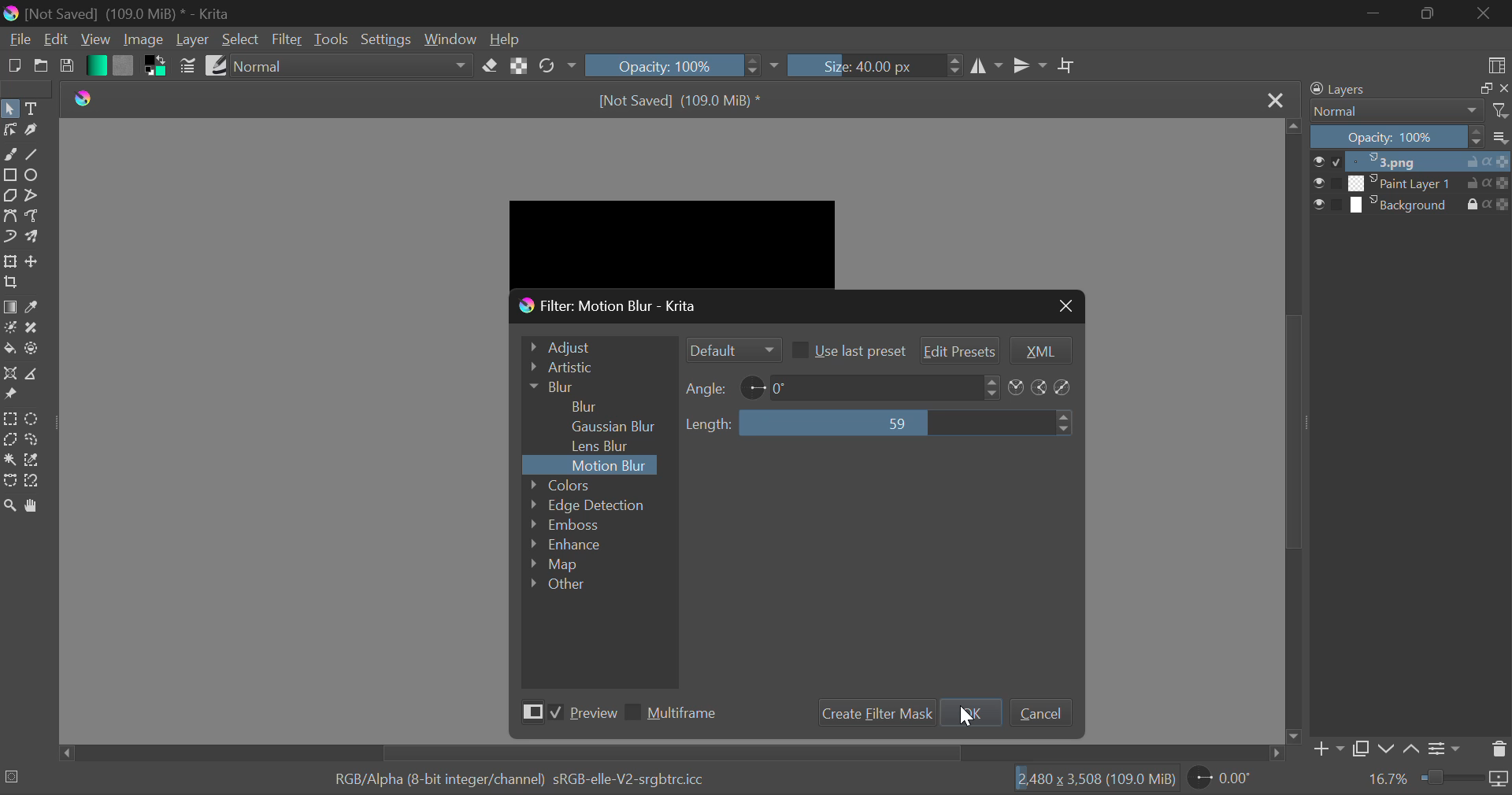  I want to click on Copy Layer, so click(1361, 749).